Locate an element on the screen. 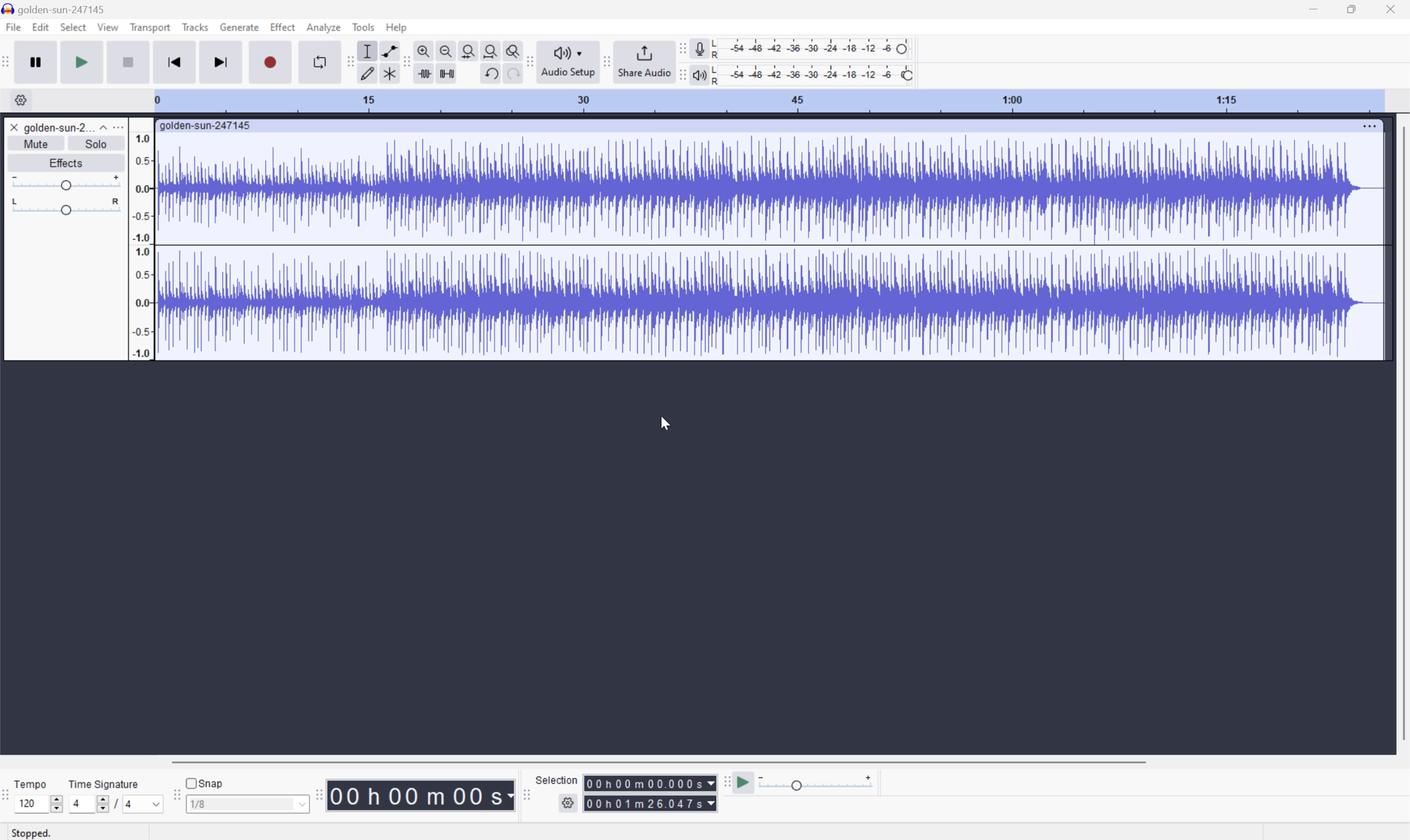 The height and width of the screenshot is (840, 1410). Zoom out is located at coordinates (446, 50).